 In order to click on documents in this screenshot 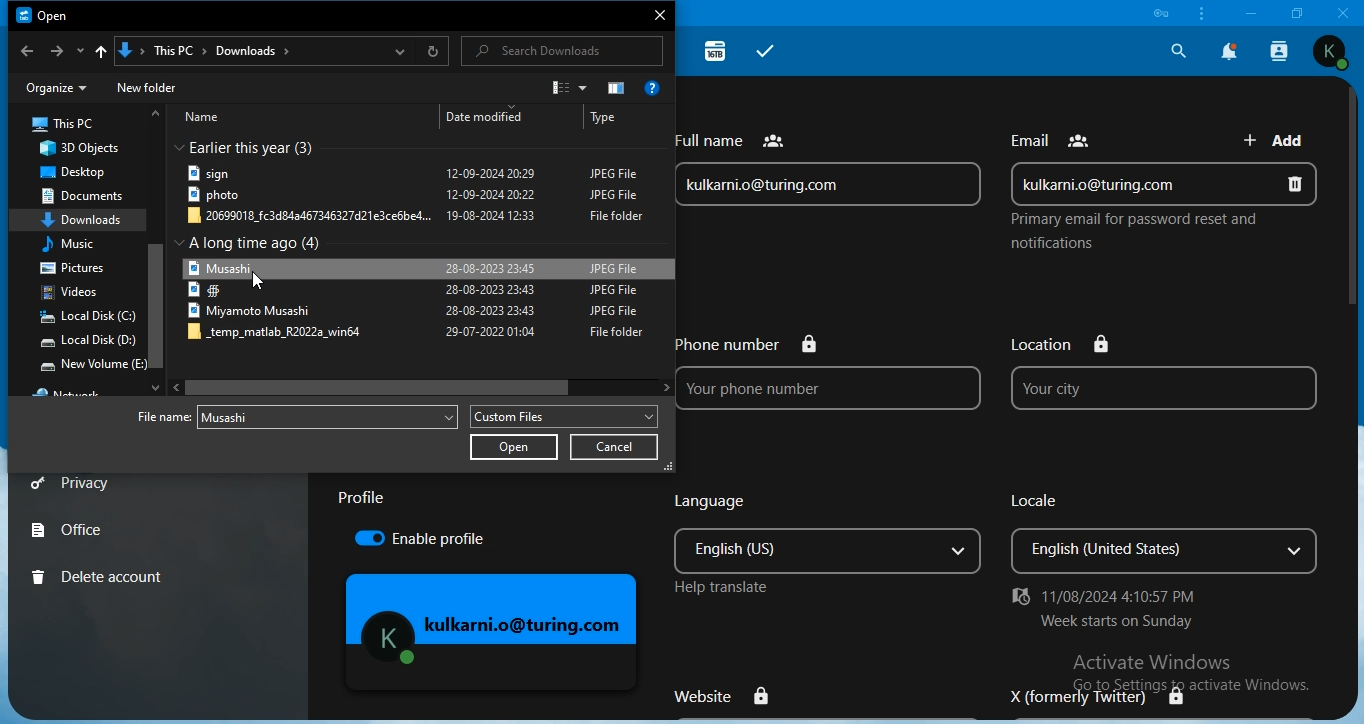, I will do `click(87, 196)`.